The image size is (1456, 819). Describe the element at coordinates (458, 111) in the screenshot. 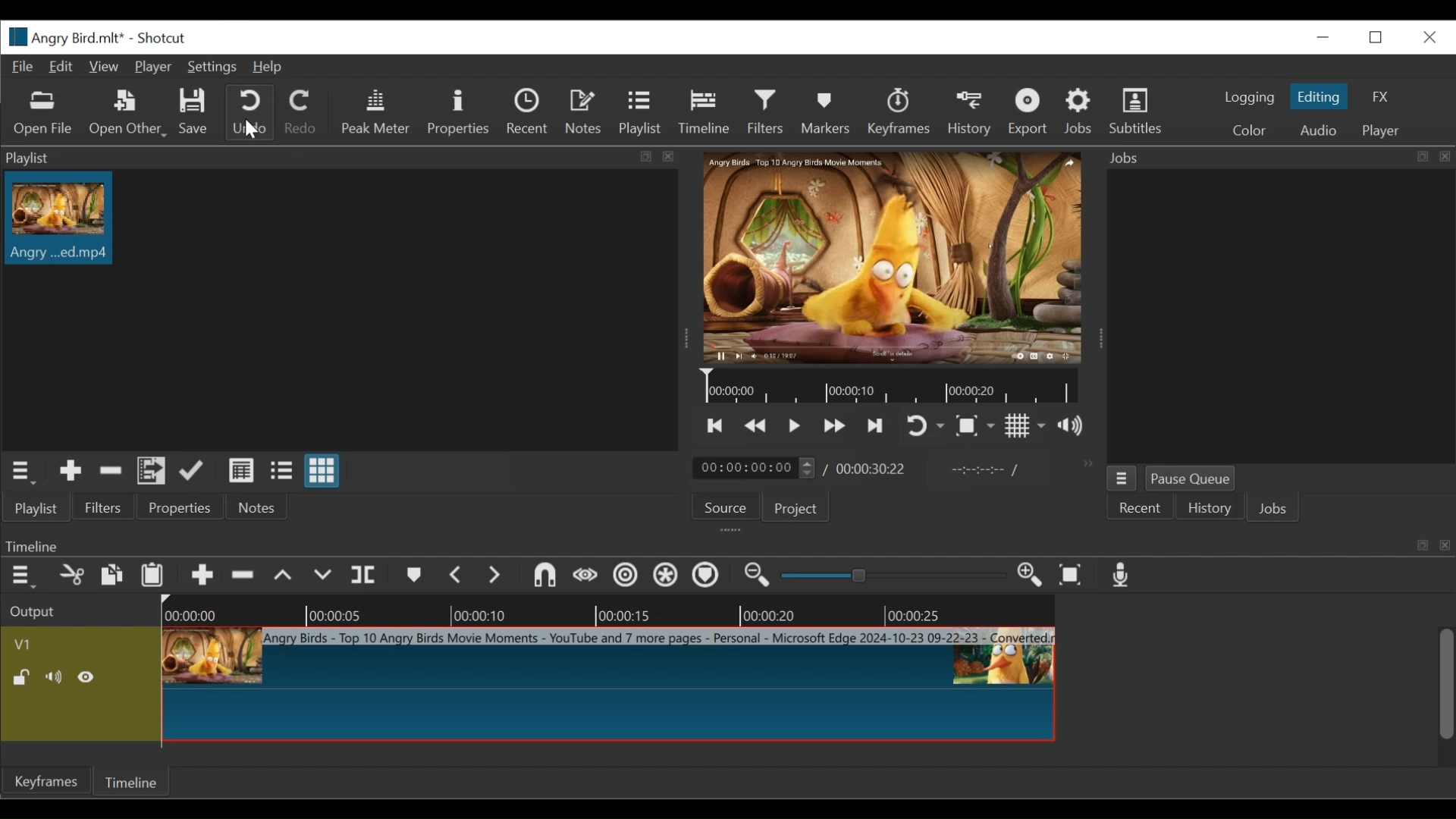

I see `Properties` at that location.